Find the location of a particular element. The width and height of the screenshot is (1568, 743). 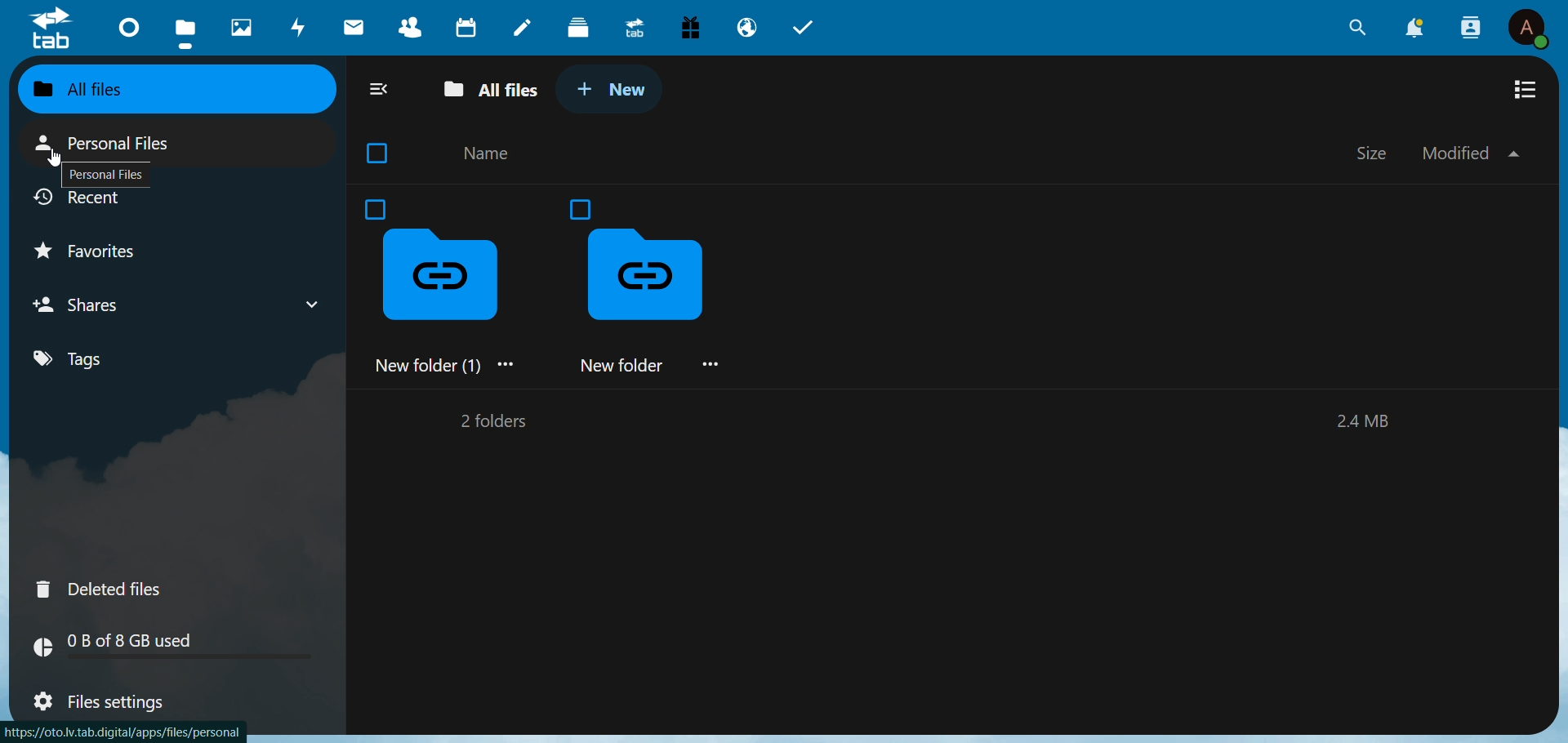

personal files is located at coordinates (105, 177).